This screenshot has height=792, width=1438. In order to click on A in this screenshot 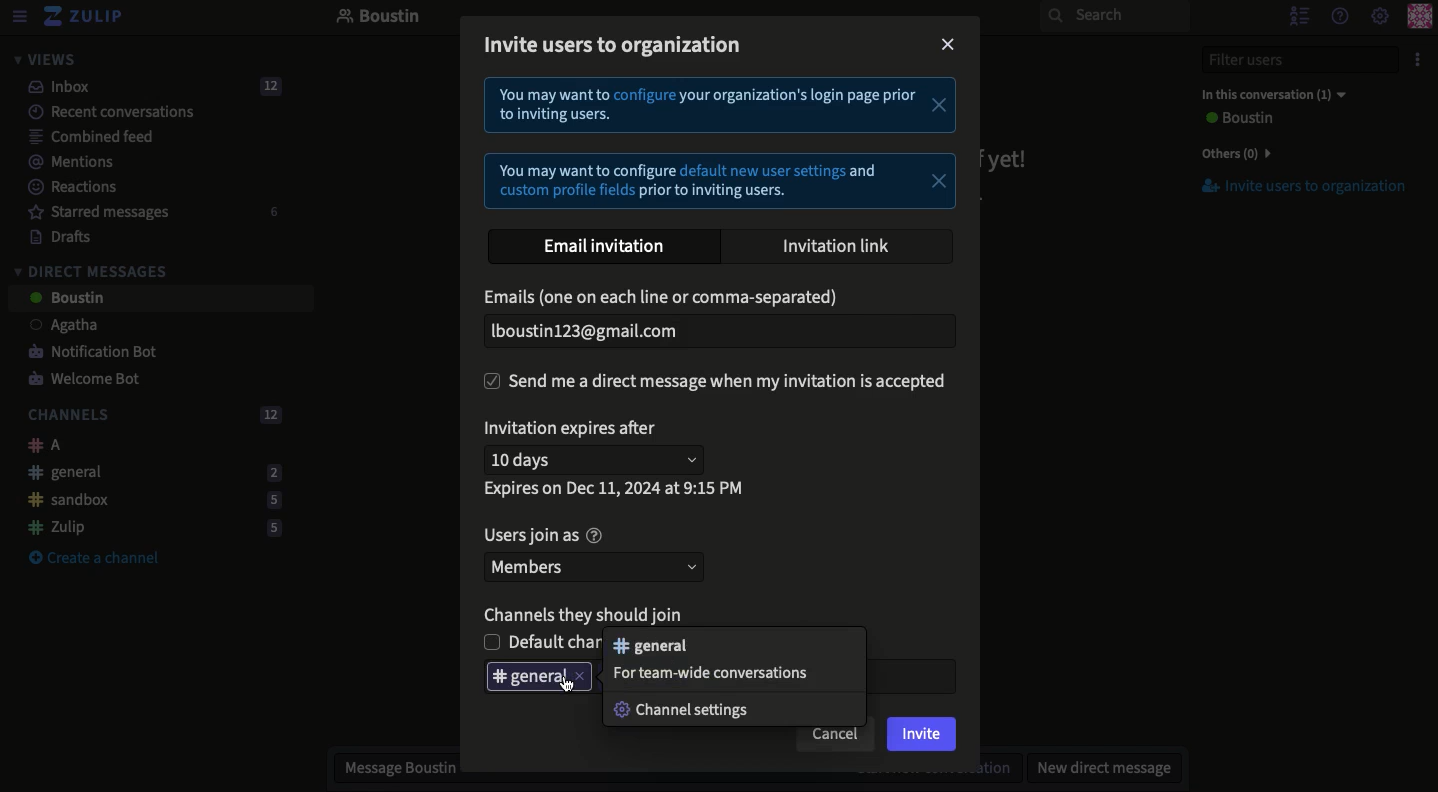, I will do `click(39, 445)`.